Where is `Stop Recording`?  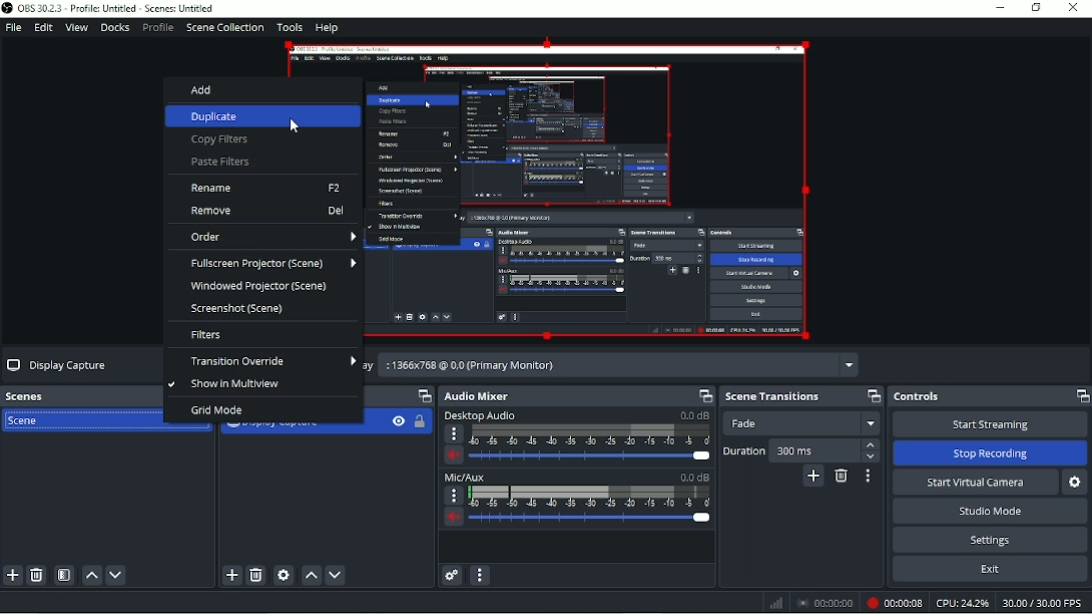
Stop Recording is located at coordinates (989, 453).